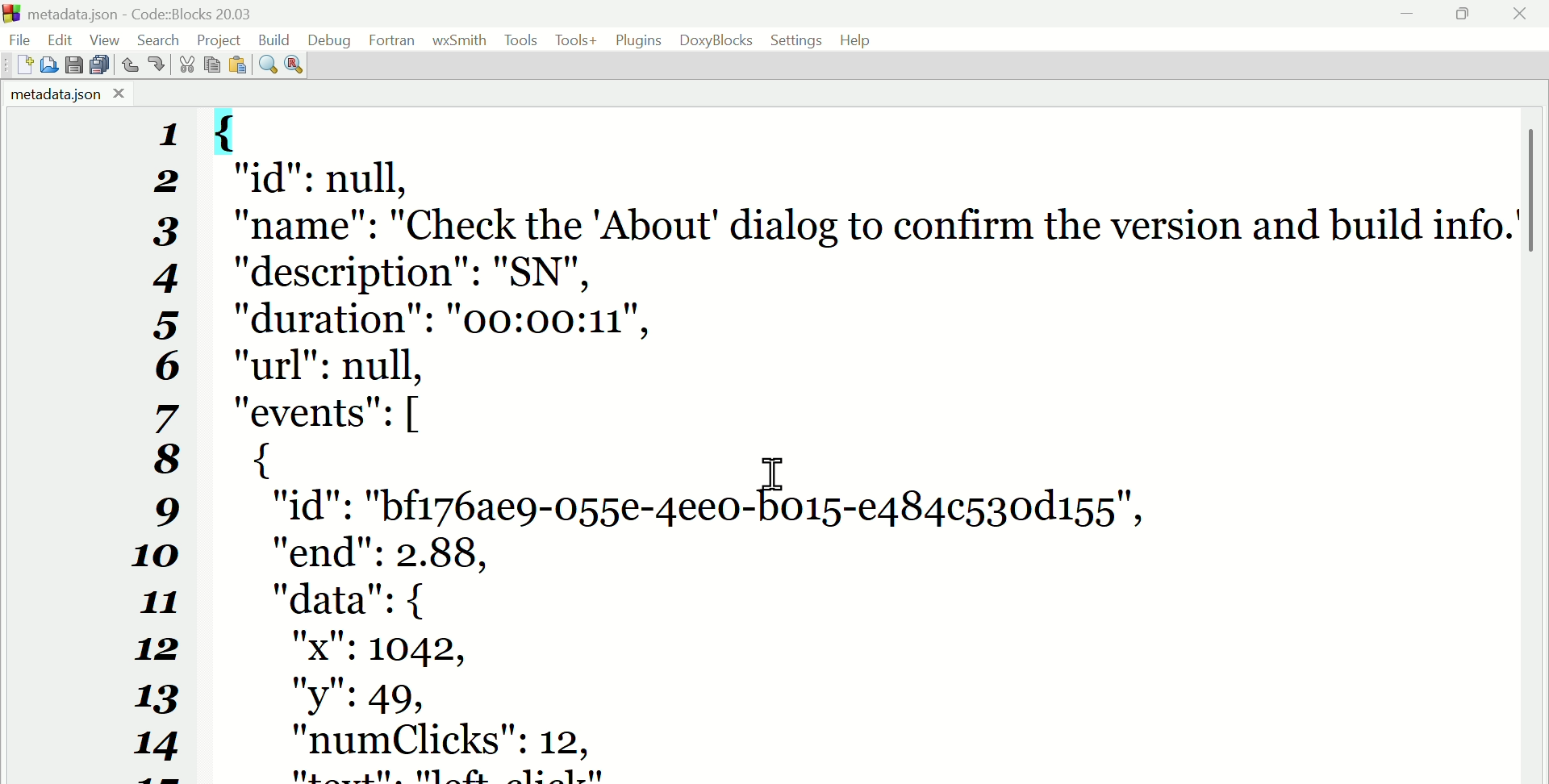 Image resolution: width=1549 pixels, height=784 pixels. I want to click on Replace, so click(294, 63).